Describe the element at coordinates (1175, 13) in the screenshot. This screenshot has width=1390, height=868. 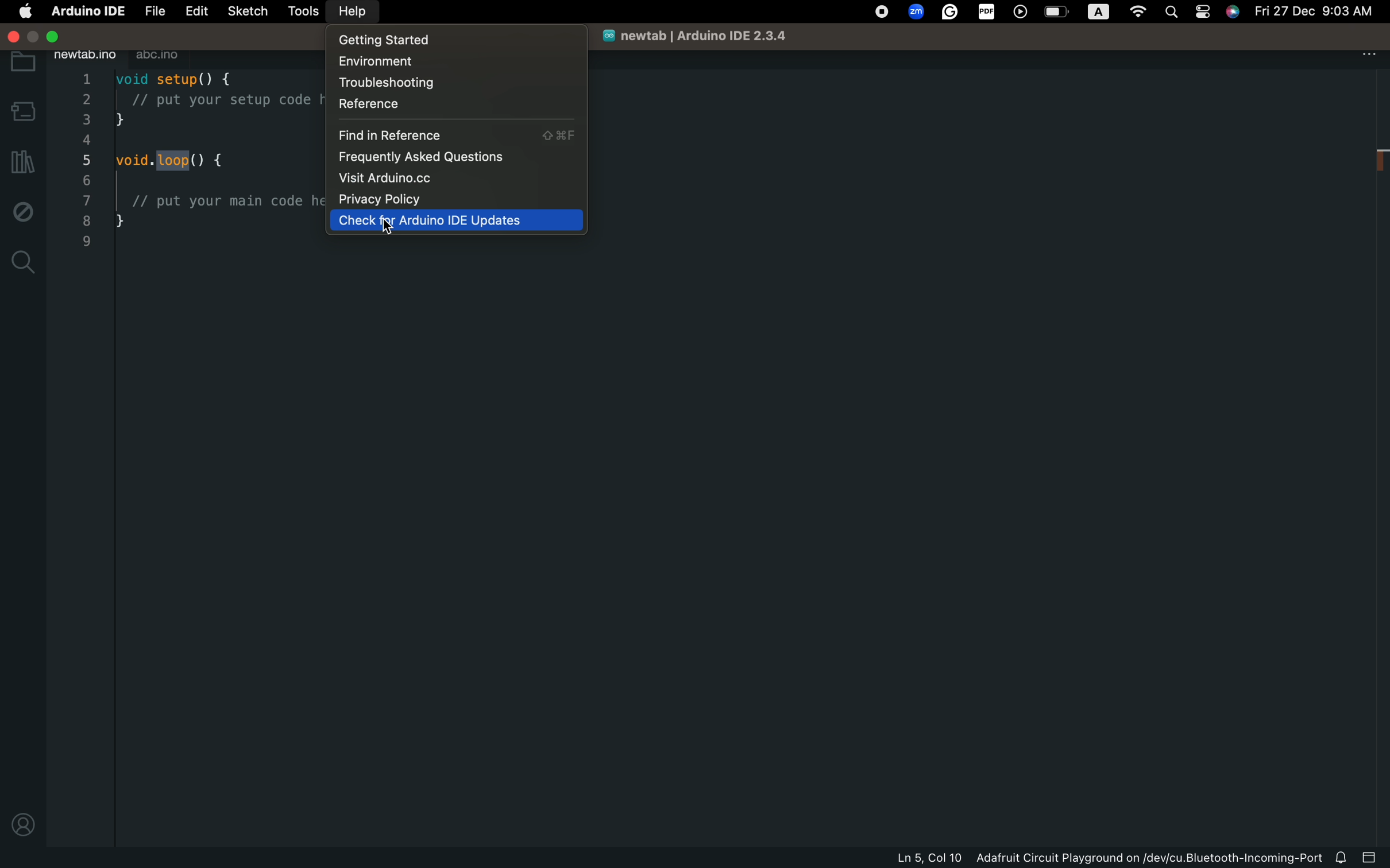
I see `Search` at that location.